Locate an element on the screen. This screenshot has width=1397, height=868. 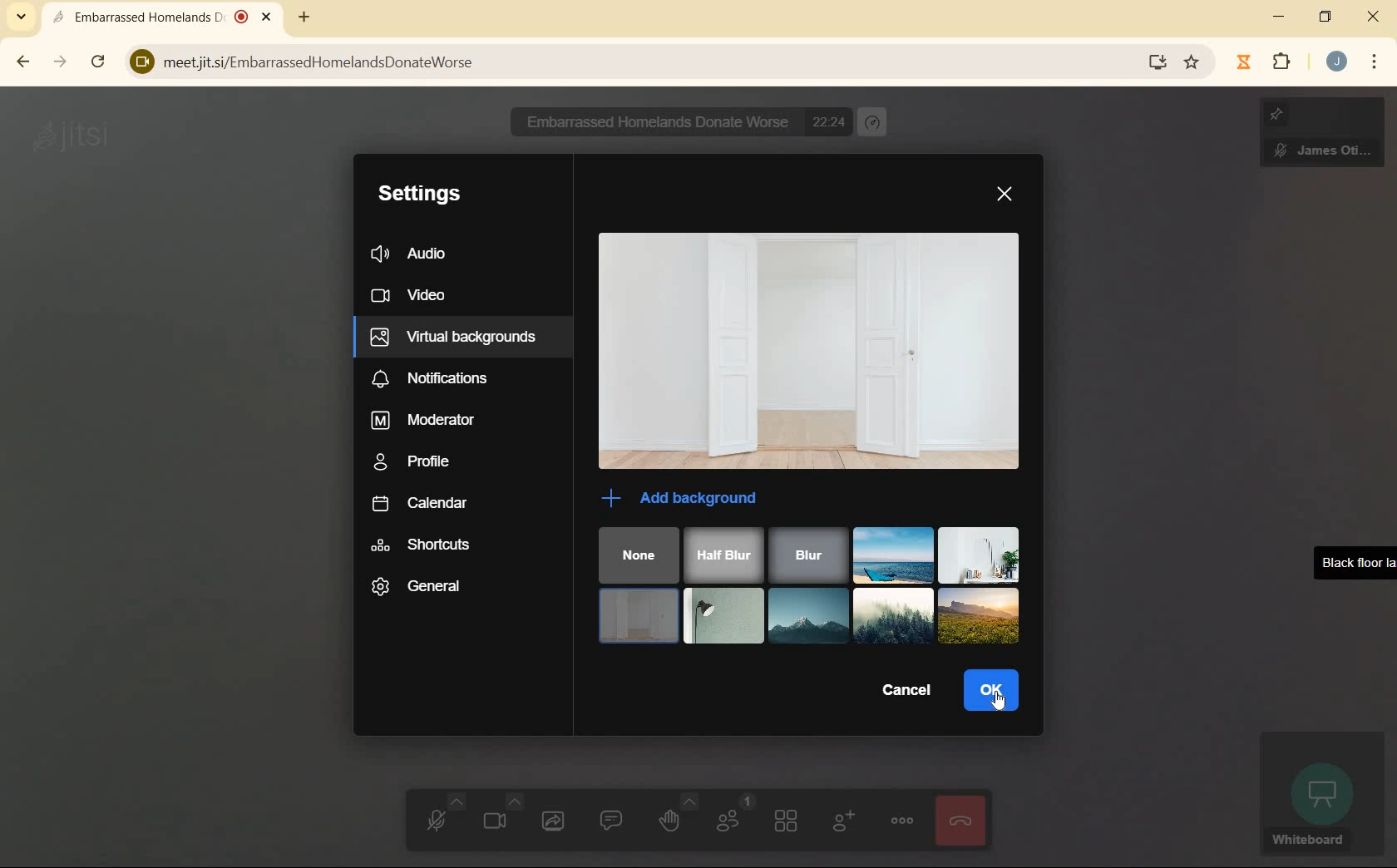
search tabs is located at coordinates (26, 15).